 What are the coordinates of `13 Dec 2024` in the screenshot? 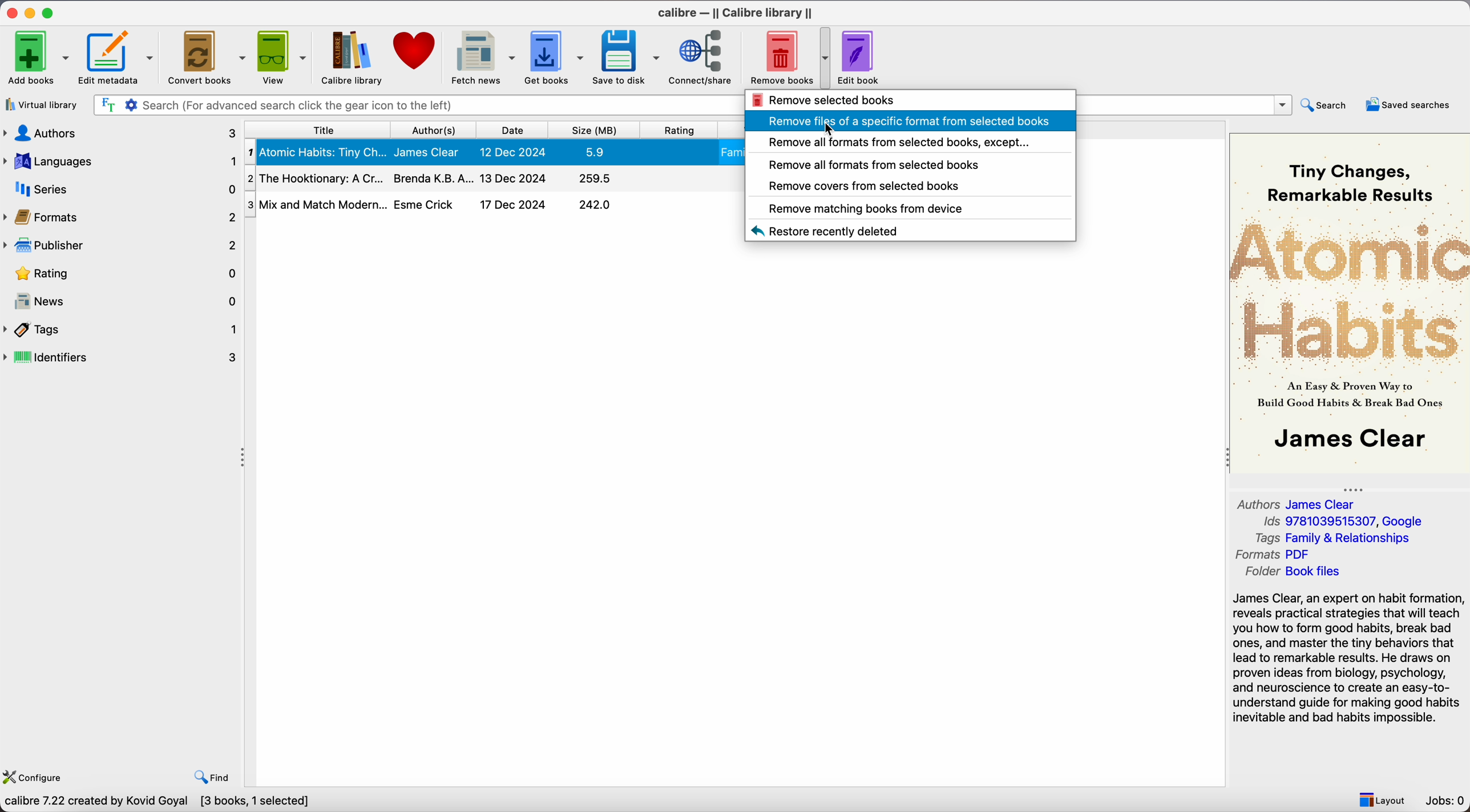 It's located at (514, 178).